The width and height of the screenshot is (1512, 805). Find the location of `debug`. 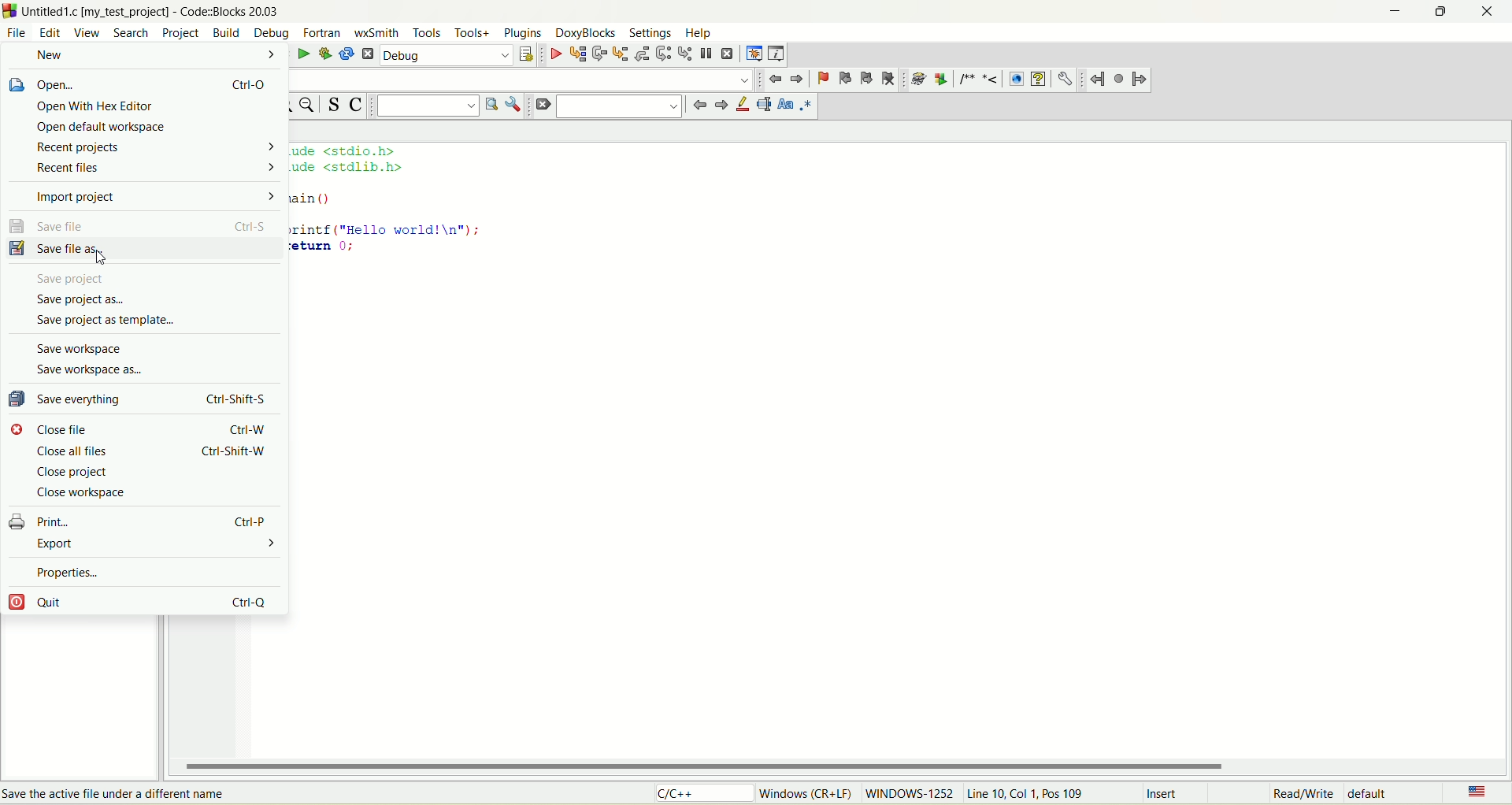

debug is located at coordinates (555, 55).